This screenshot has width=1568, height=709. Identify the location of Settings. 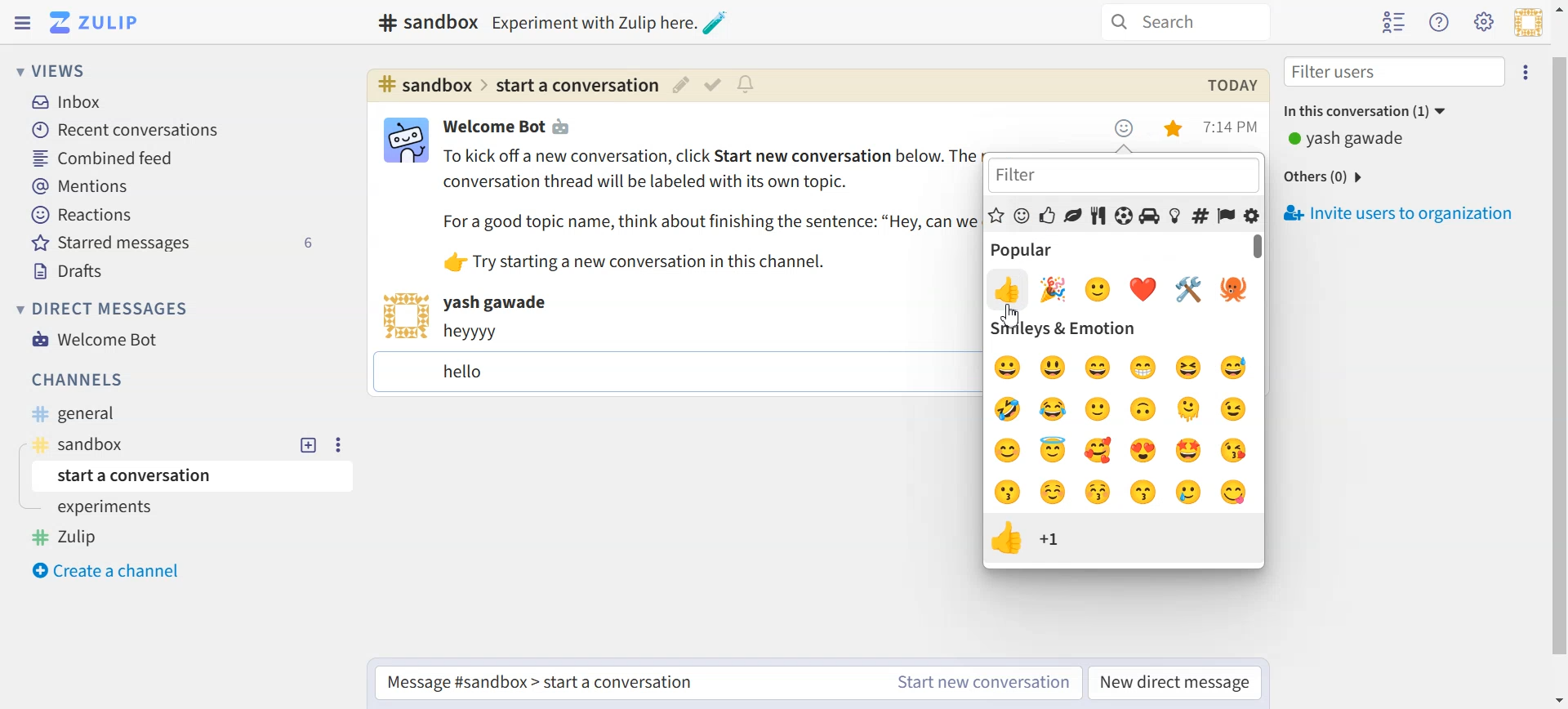
(1151, 129).